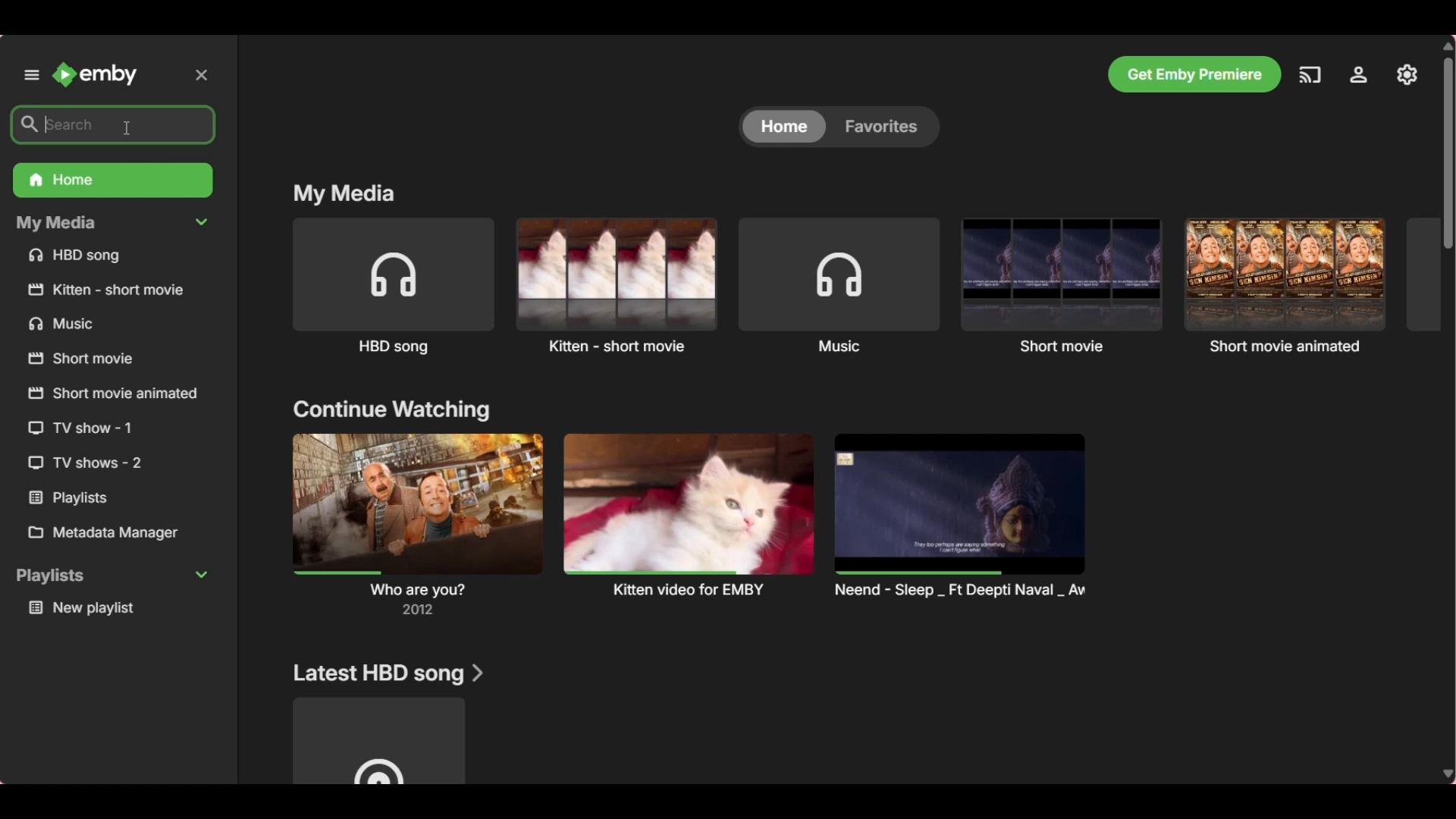 The width and height of the screenshot is (1456, 819). What do you see at coordinates (388, 674) in the screenshot?
I see `Section title` at bounding box center [388, 674].